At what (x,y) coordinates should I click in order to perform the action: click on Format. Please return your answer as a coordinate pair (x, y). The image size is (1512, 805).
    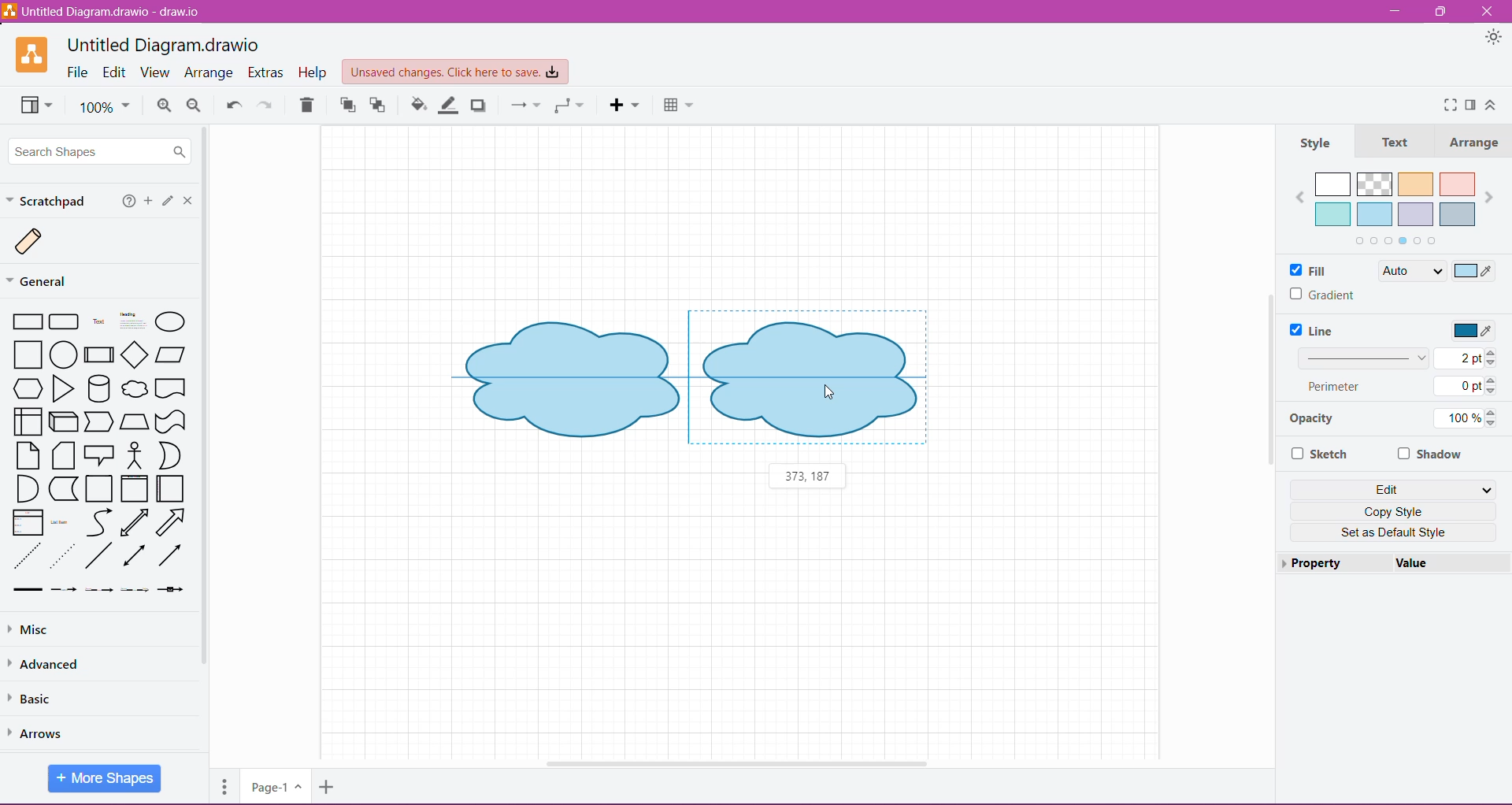
    Looking at the image, I should click on (1471, 104).